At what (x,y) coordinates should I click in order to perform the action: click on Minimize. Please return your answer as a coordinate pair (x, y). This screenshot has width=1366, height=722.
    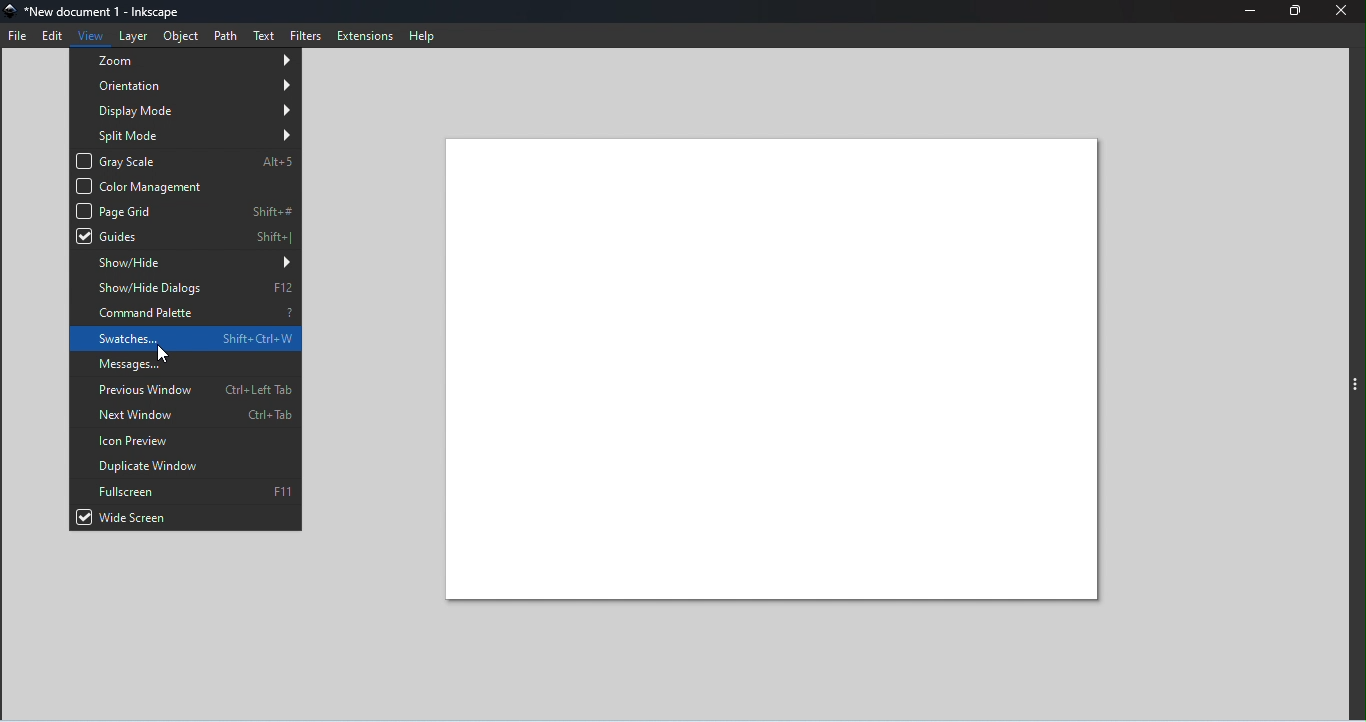
    Looking at the image, I should click on (1252, 11).